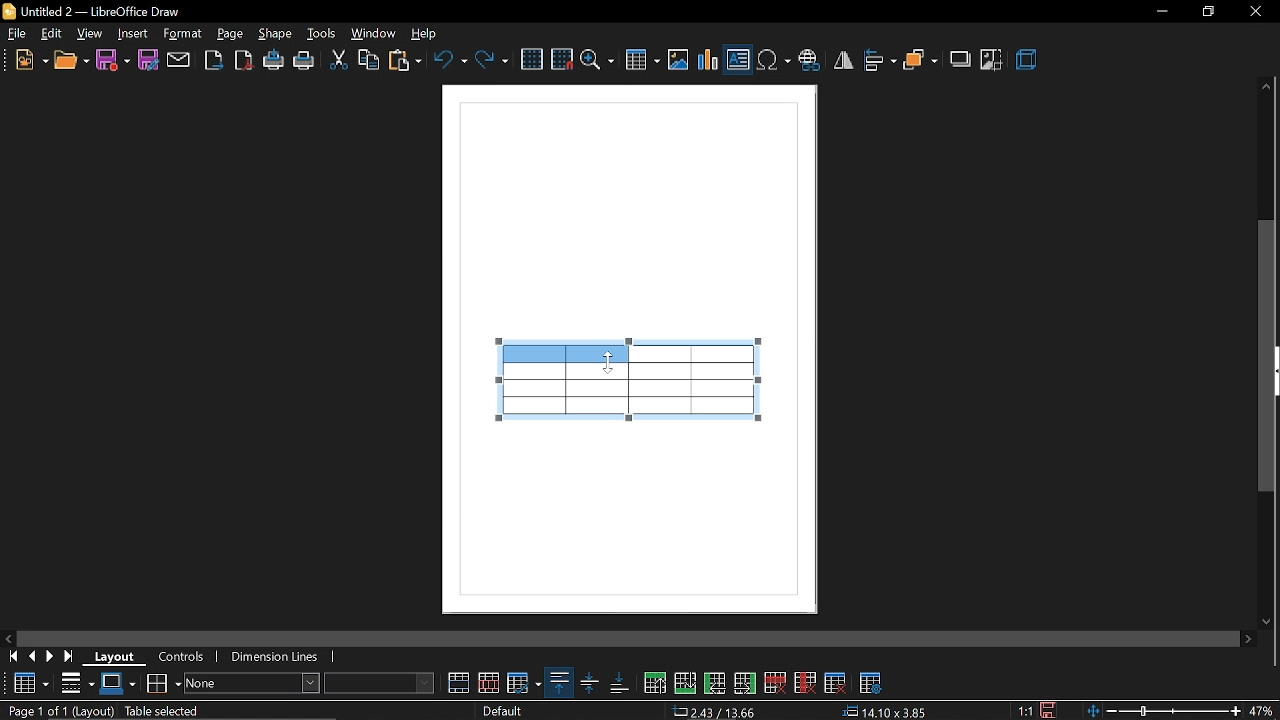 The image size is (1280, 720). What do you see at coordinates (610, 361) in the screenshot?
I see `cursor` at bounding box center [610, 361].